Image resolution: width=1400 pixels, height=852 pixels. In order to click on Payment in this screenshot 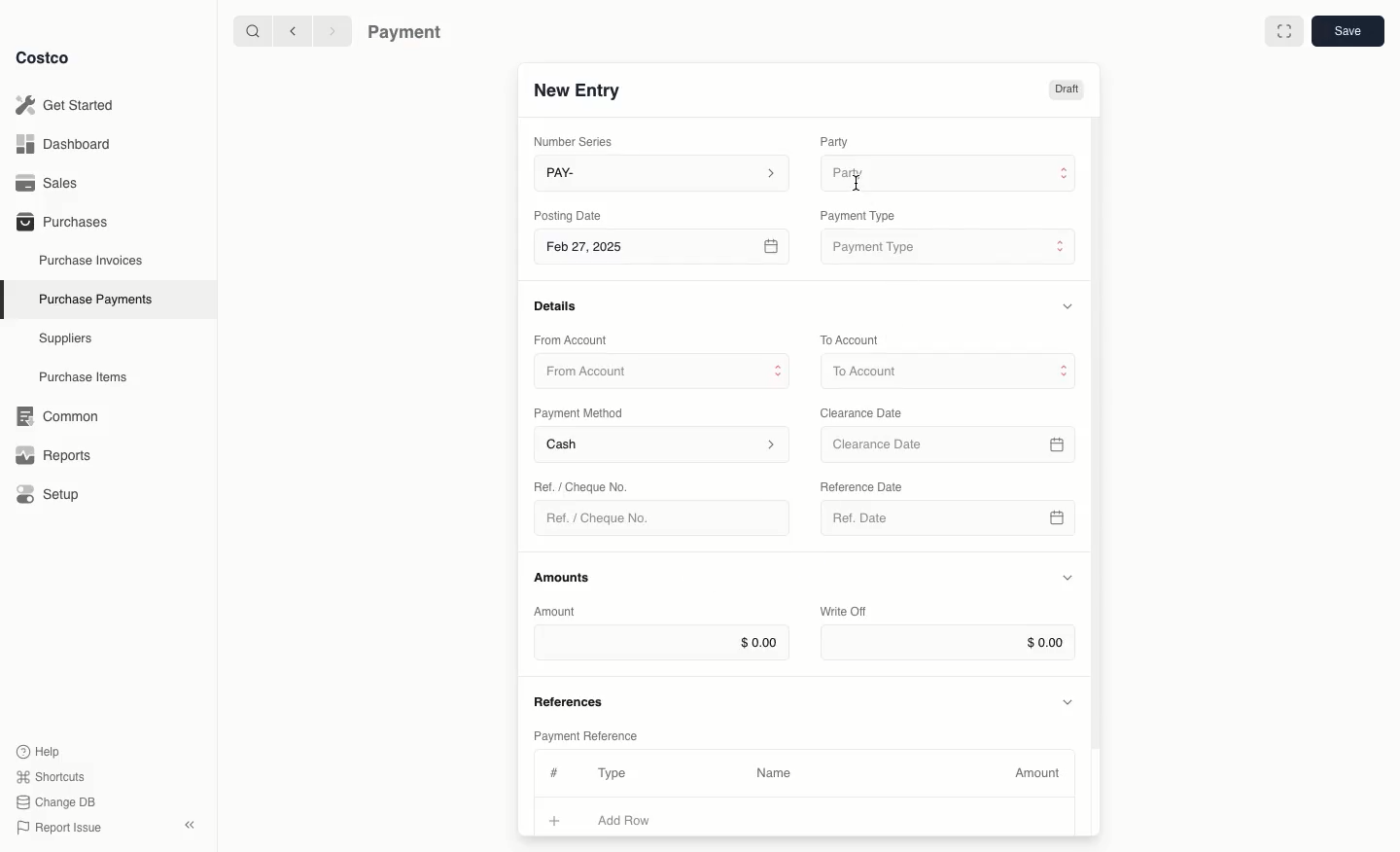, I will do `click(409, 34)`.